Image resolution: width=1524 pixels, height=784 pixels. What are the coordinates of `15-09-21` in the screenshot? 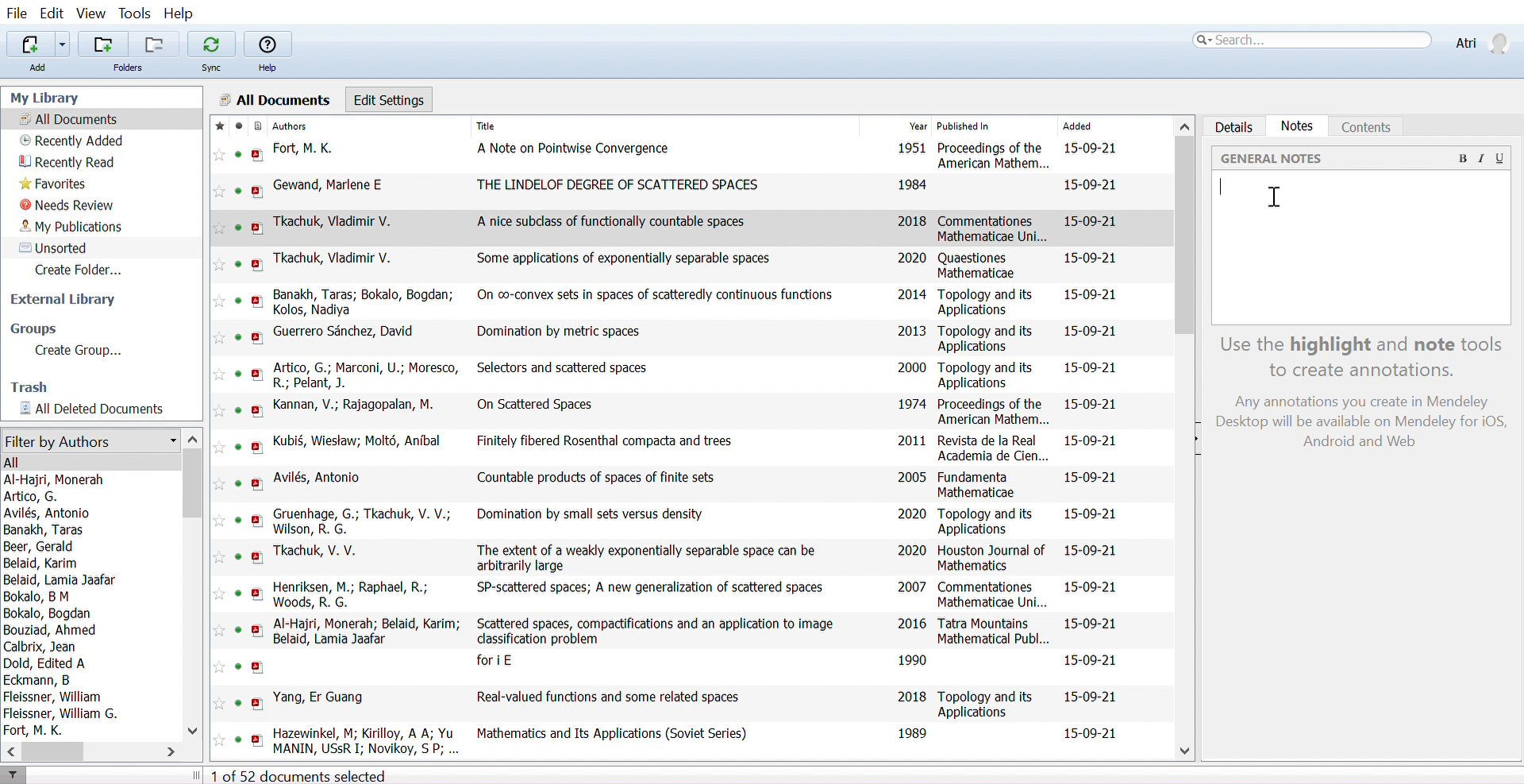 It's located at (1090, 186).